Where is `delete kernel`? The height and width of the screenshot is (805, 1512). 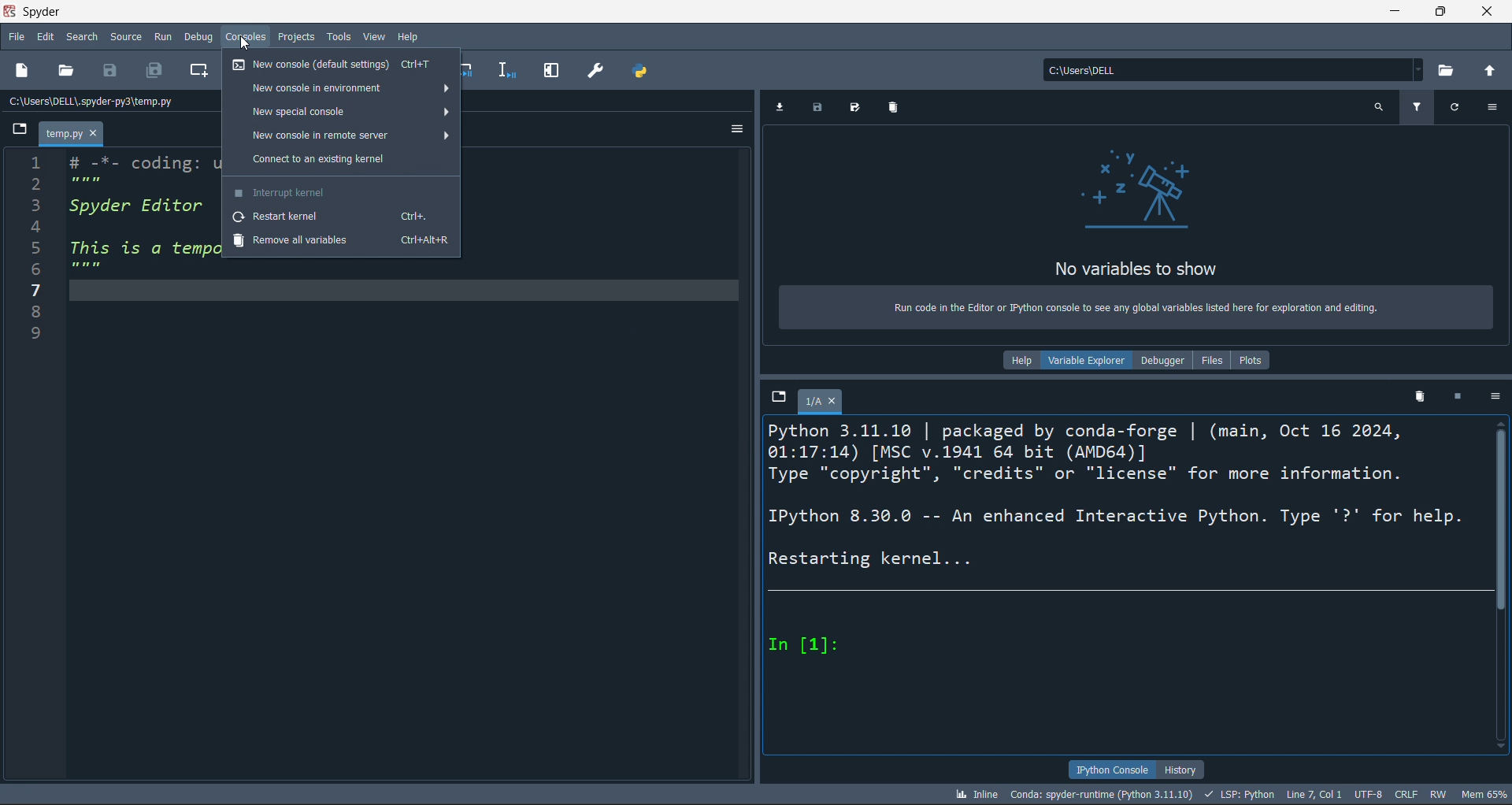 delete kernel is located at coordinates (1423, 396).